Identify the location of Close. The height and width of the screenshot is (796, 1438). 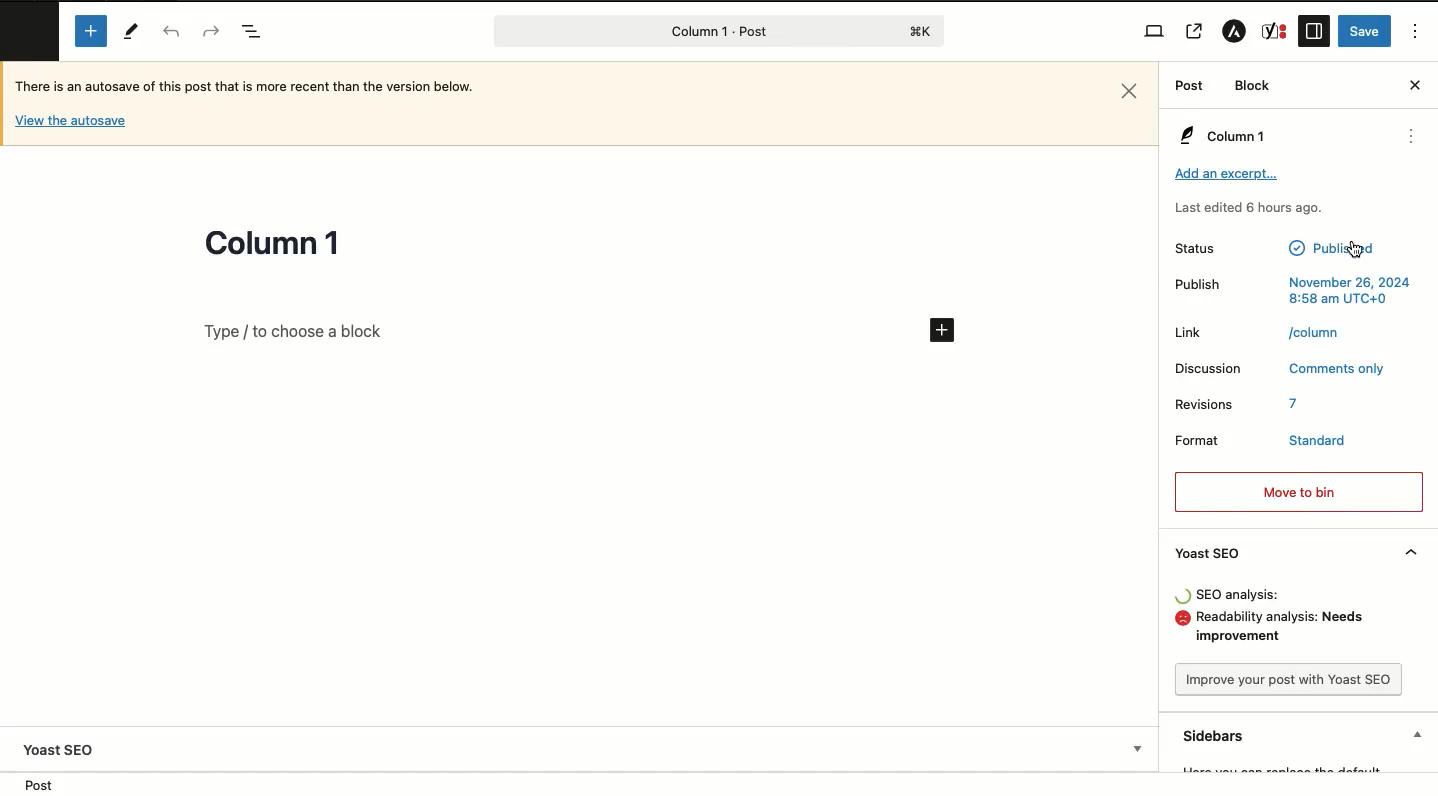
(1415, 84).